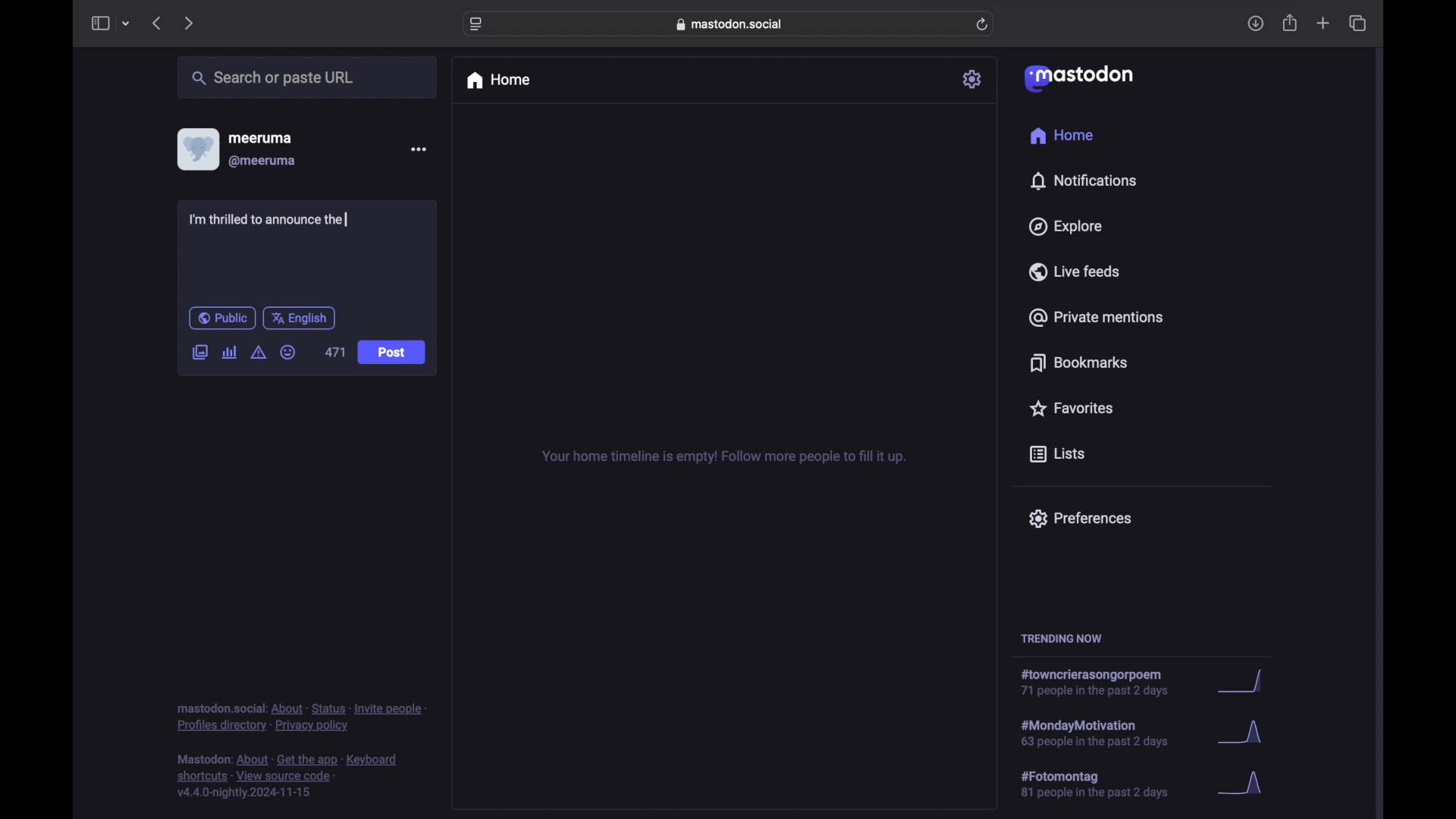 The image size is (1456, 819). What do you see at coordinates (127, 23) in the screenshot?
I see `tab group picker` at bounding box center [127, 23].